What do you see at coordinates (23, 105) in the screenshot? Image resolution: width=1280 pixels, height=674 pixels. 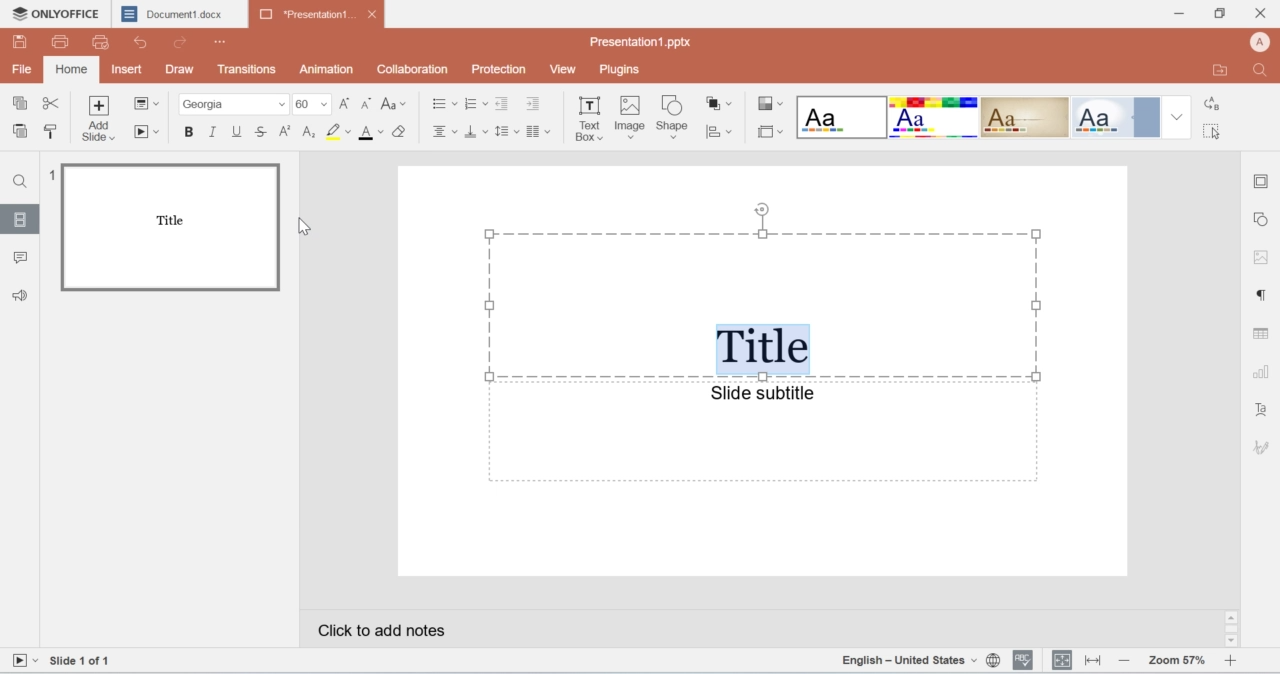 I see `copy` at bounding box center [23, 105].